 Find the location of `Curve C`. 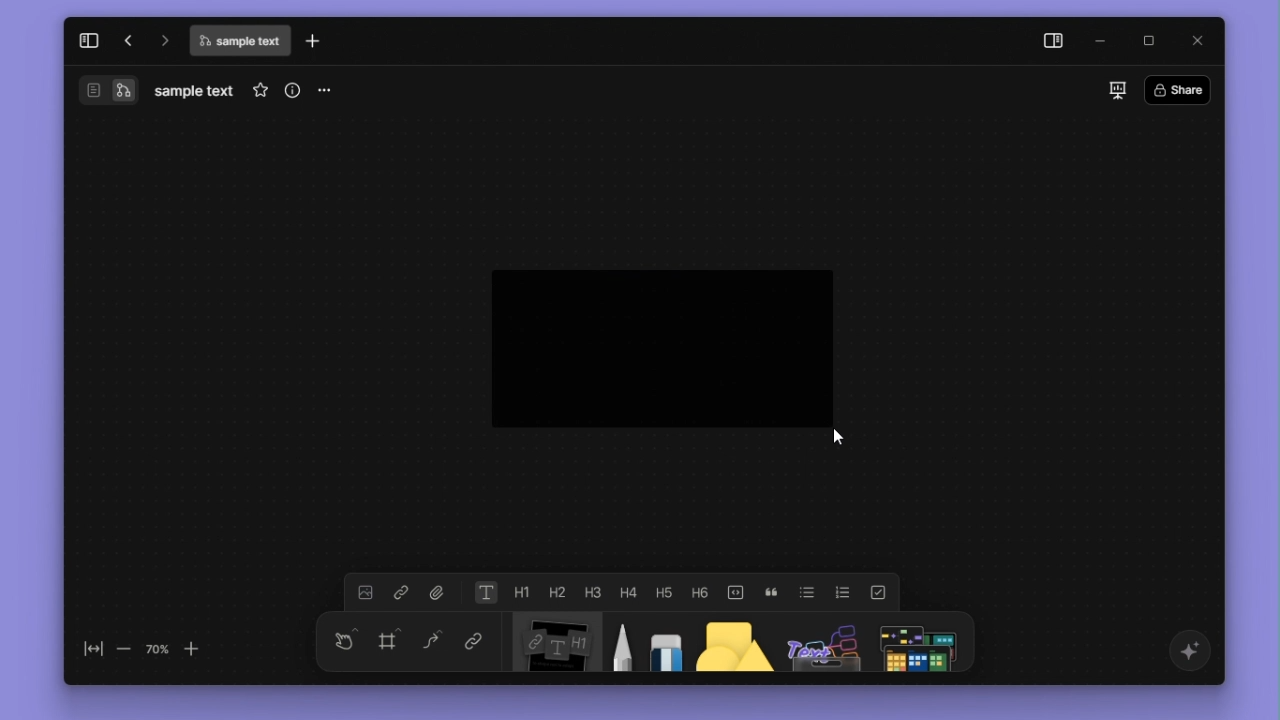

Curve C is located at coordinates (432, 644).